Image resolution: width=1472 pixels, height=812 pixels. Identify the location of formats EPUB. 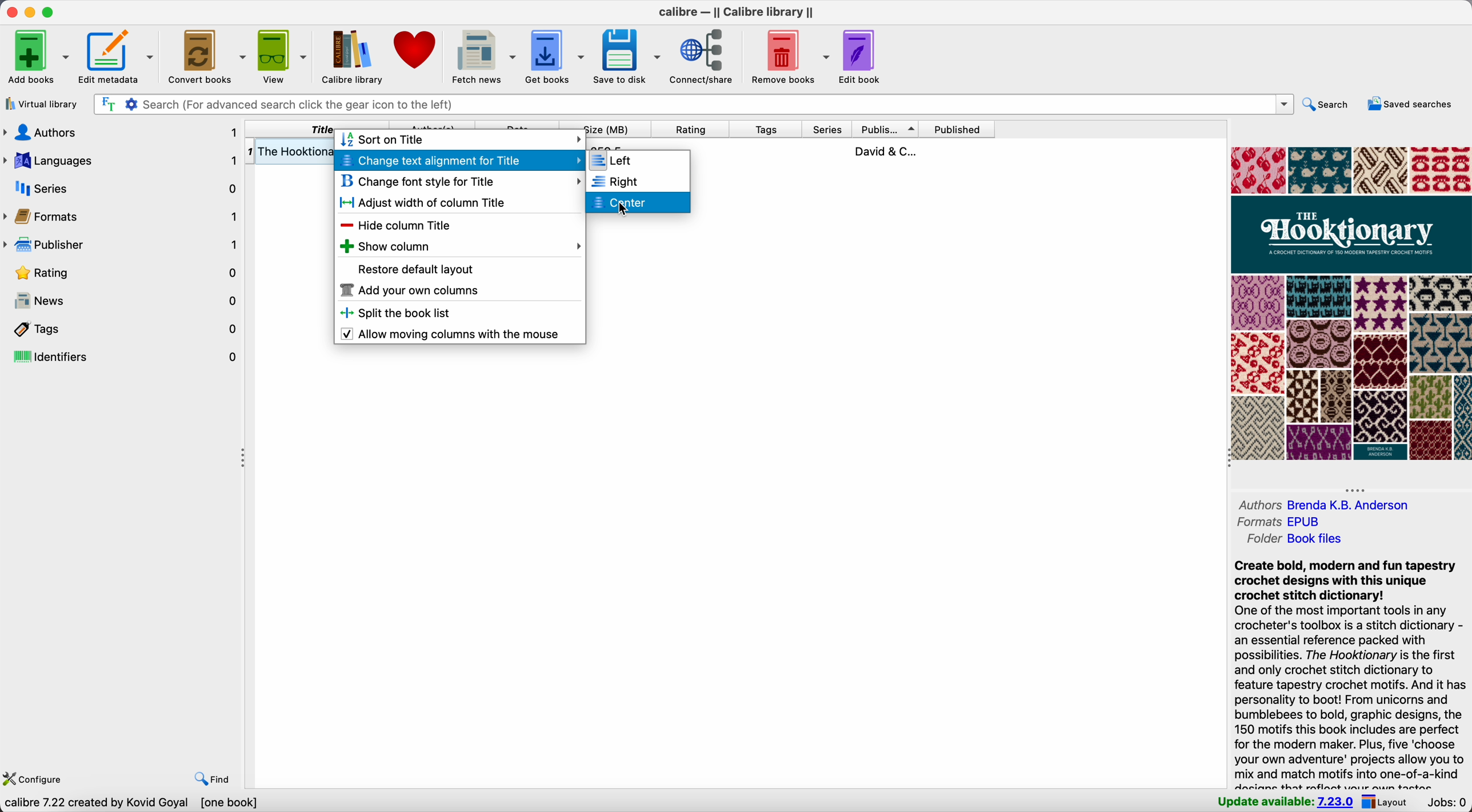
(1278, 522).